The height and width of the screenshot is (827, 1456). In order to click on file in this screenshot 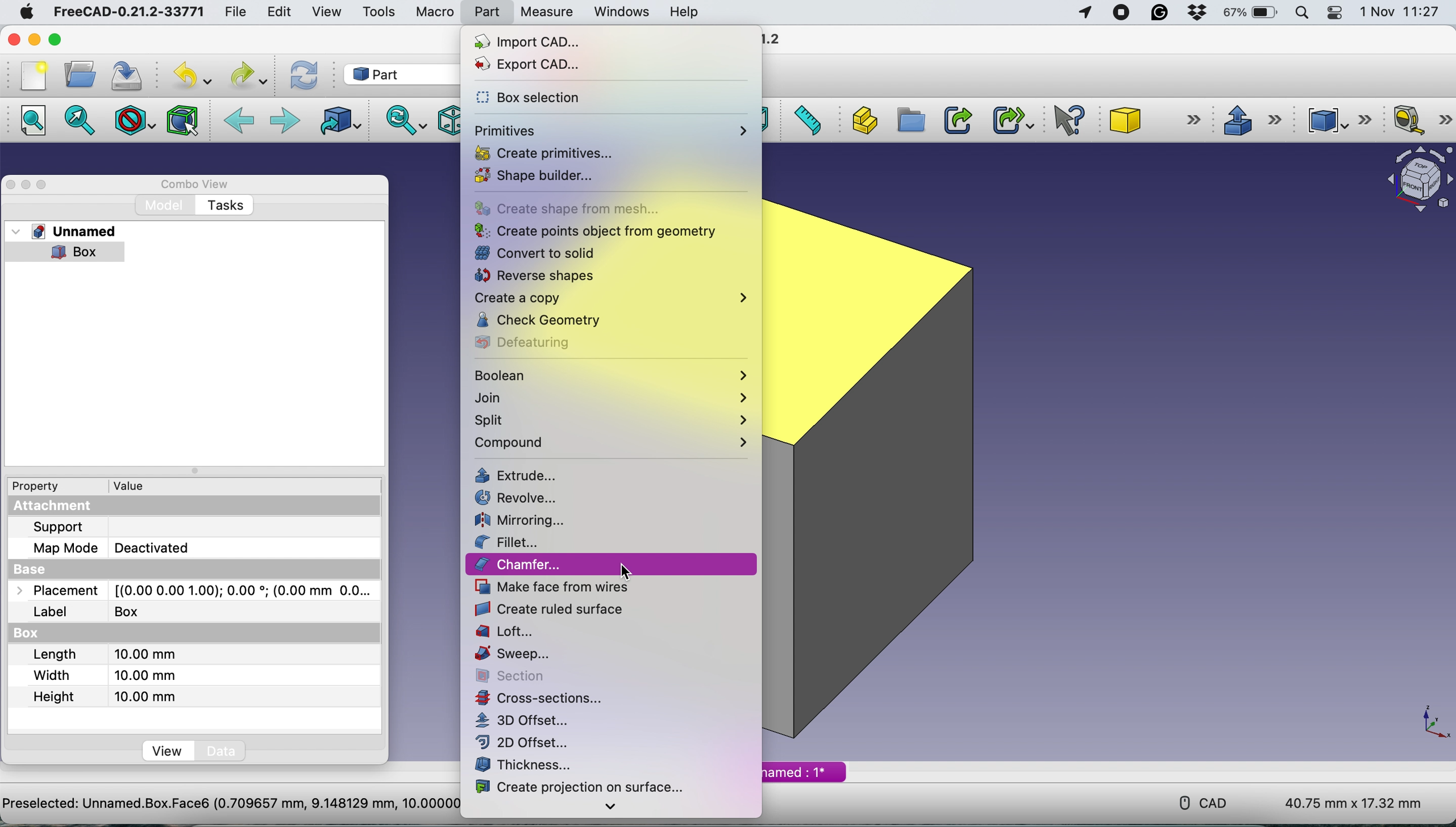, I will do `click(233, 12)`.